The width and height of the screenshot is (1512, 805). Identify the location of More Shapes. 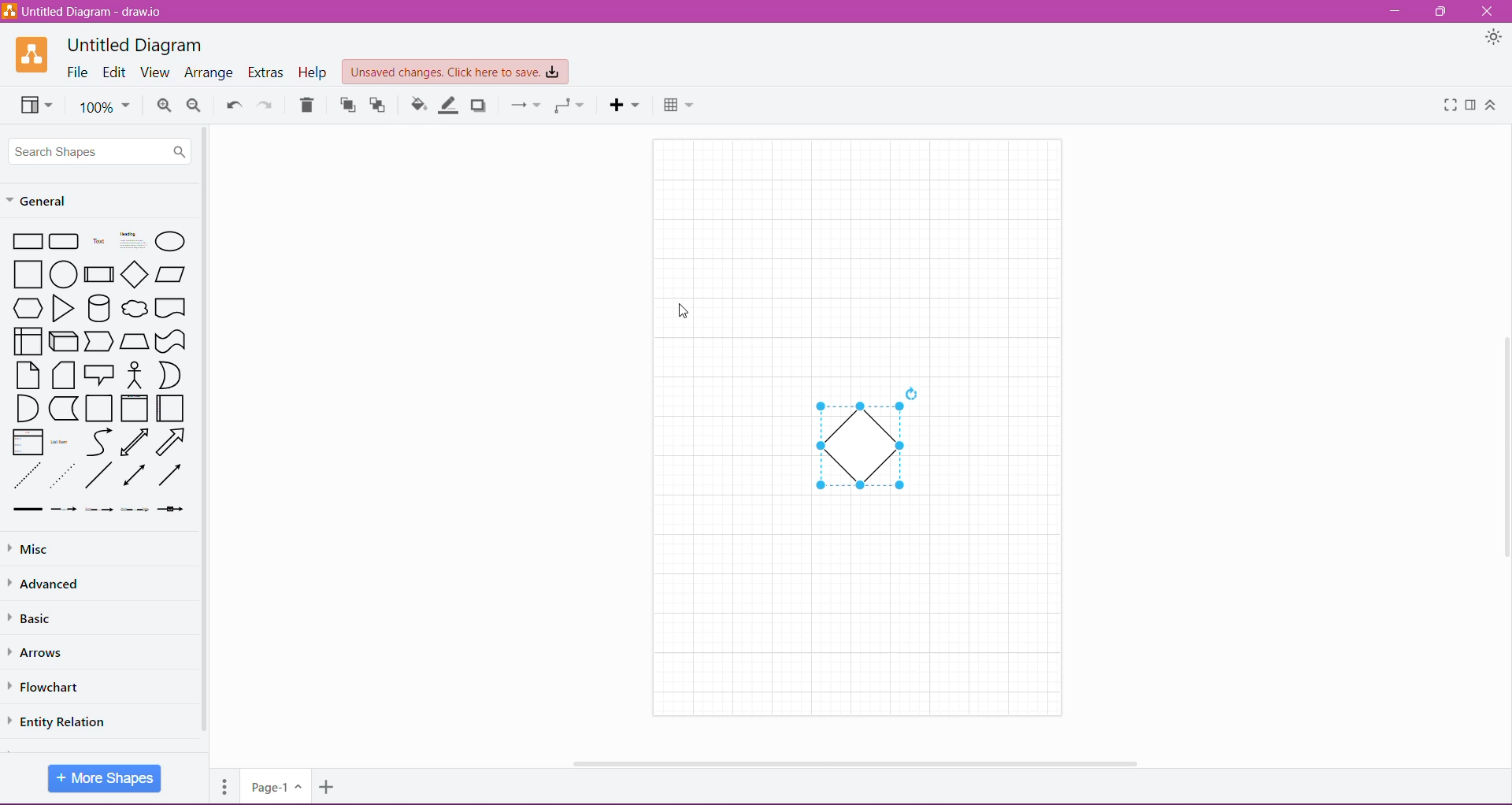
(105, 779).